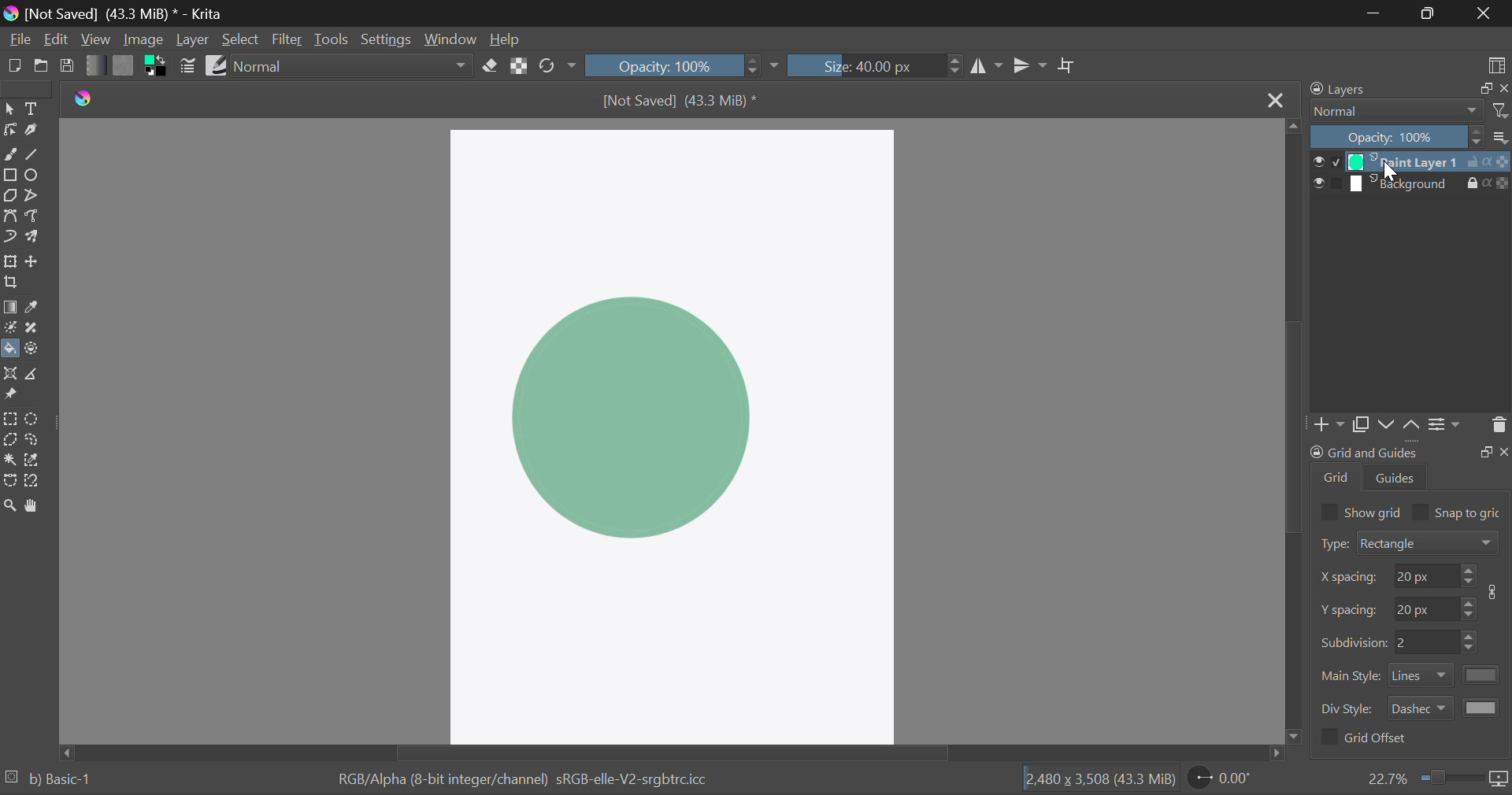  Describe the element at coordinates (123, 68) in the screenshot. I see `Pattern` at that location.